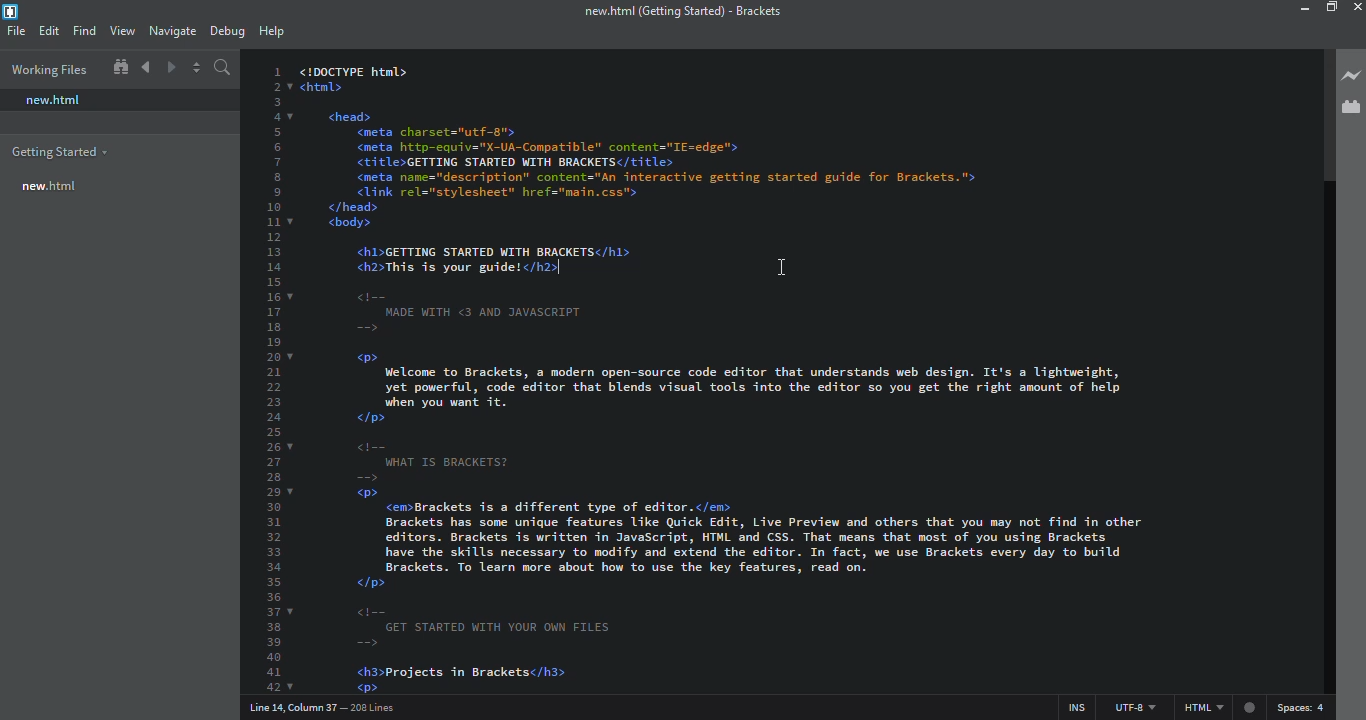  What do you see at coordinates (47, 67) in the screenshot?
I see `working files` at bounding box center [47, 67].